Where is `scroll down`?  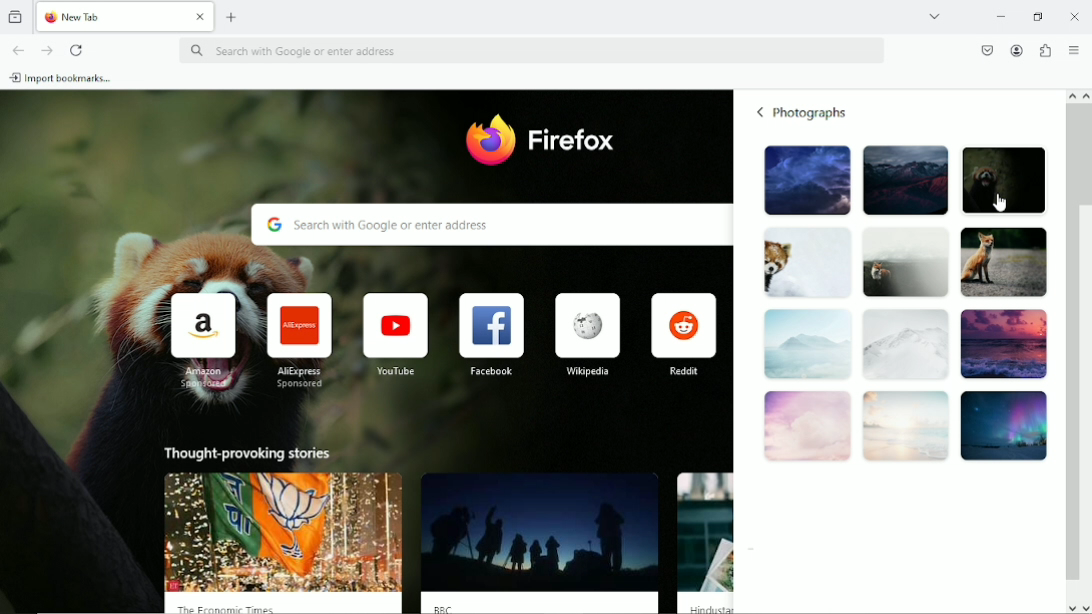
scroll down is located at coordinates (1069, 609).